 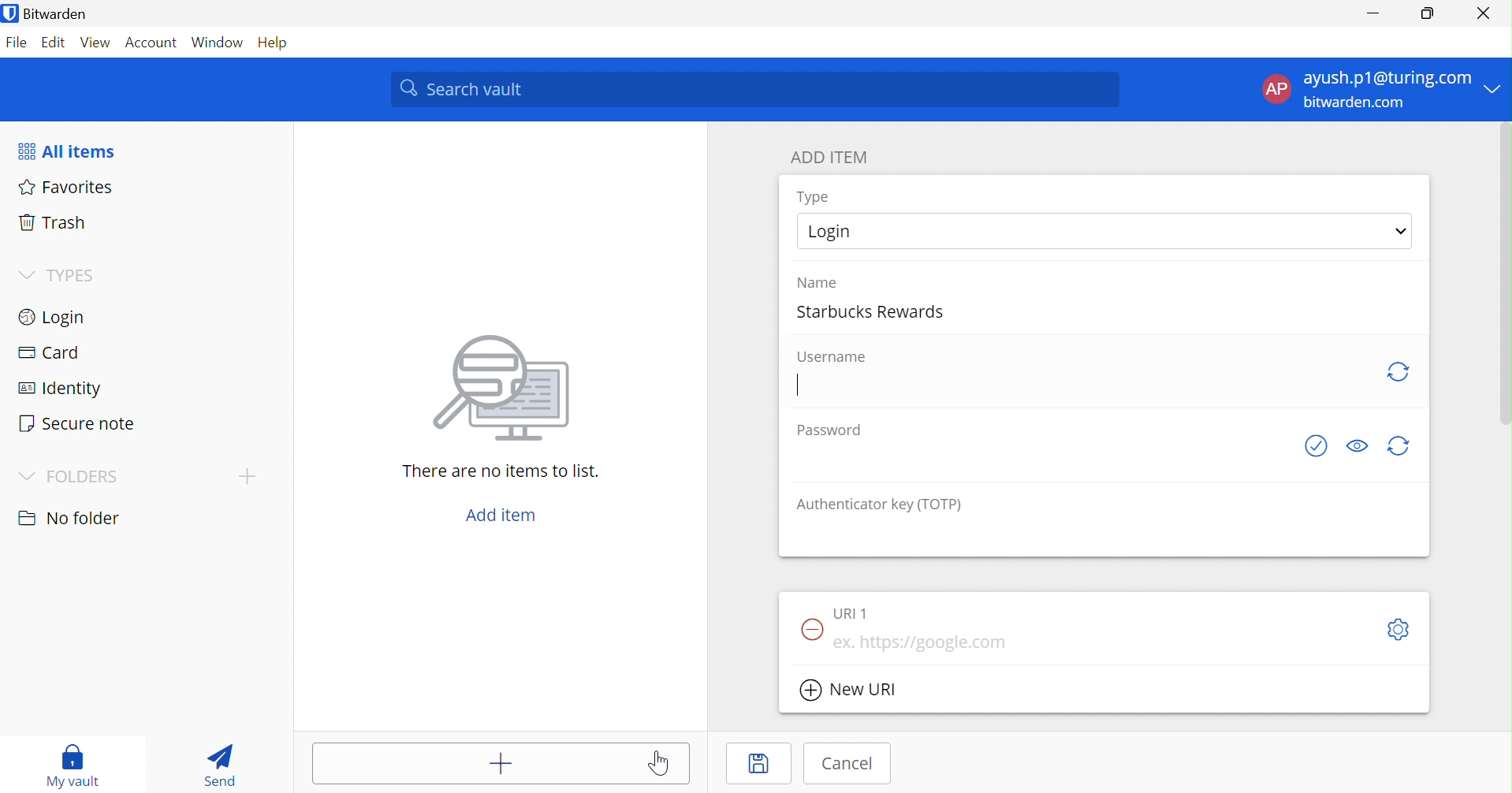 I want to click on Card, so click(x=50, y=352).